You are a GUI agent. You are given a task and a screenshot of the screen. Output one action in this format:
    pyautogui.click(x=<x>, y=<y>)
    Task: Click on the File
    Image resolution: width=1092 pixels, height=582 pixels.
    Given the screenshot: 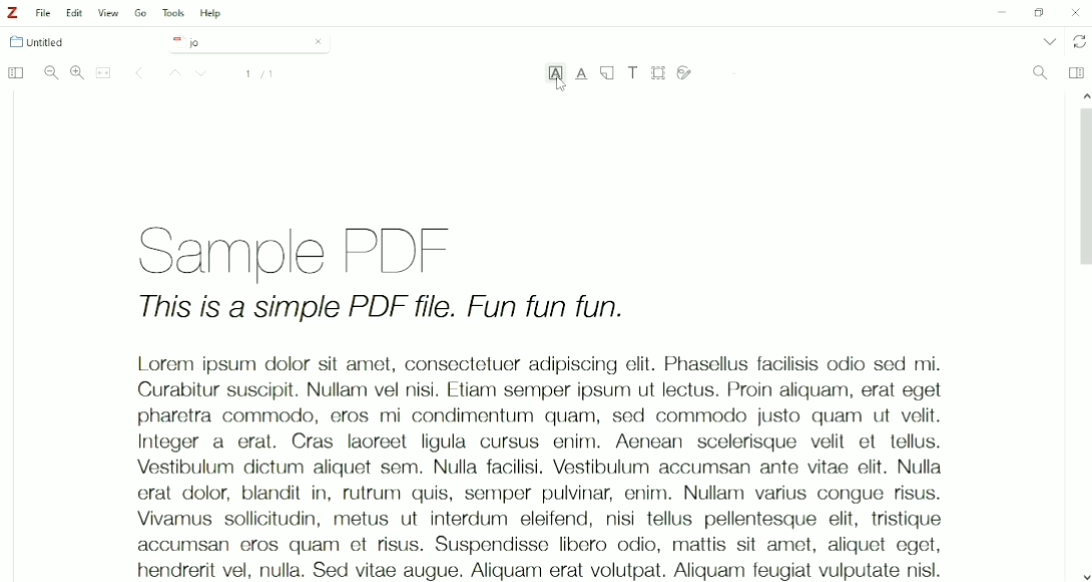 What is the action you would take?
    pyautogui.click(x=44, y=13)
    